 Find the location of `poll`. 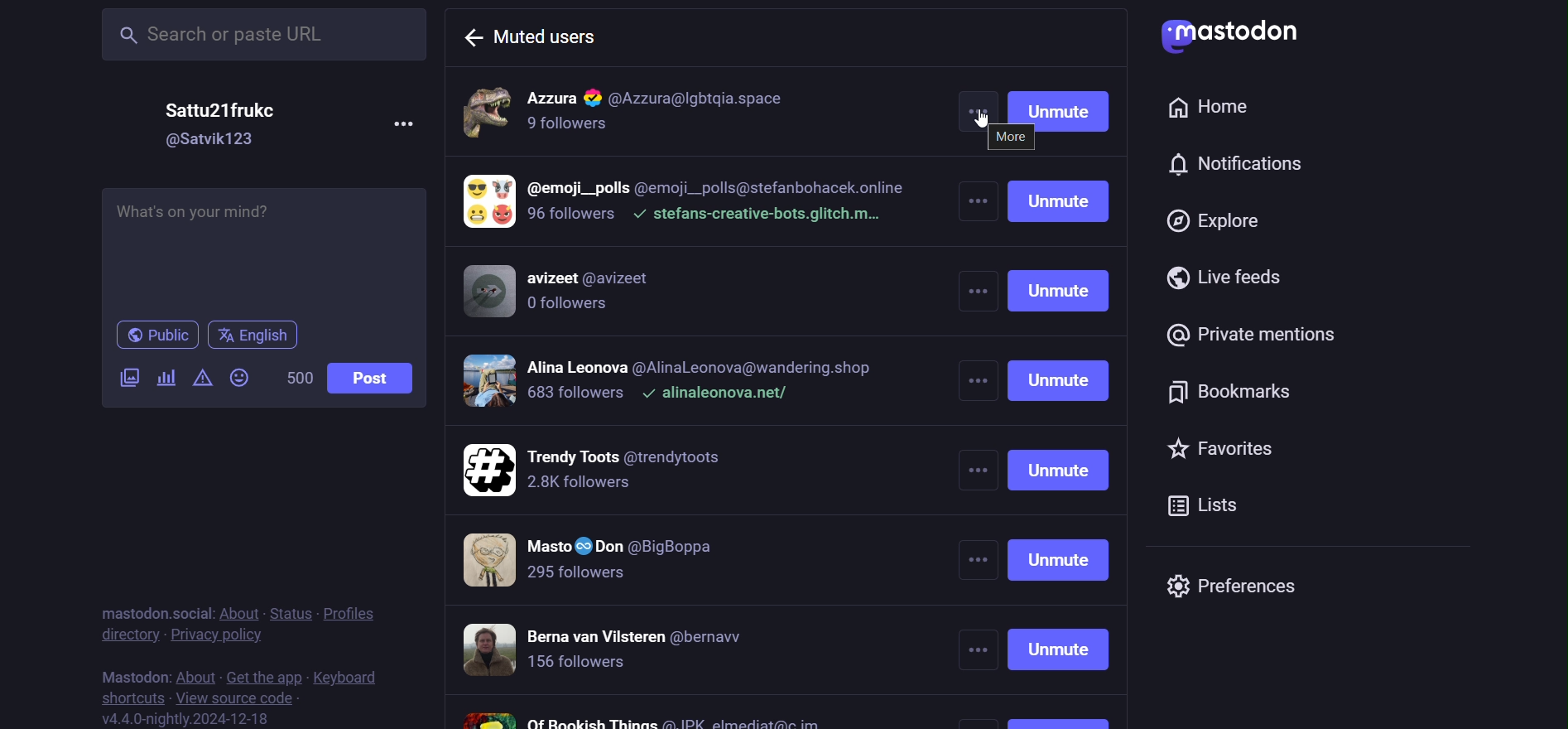

poll is located at coordinates (165, 379).